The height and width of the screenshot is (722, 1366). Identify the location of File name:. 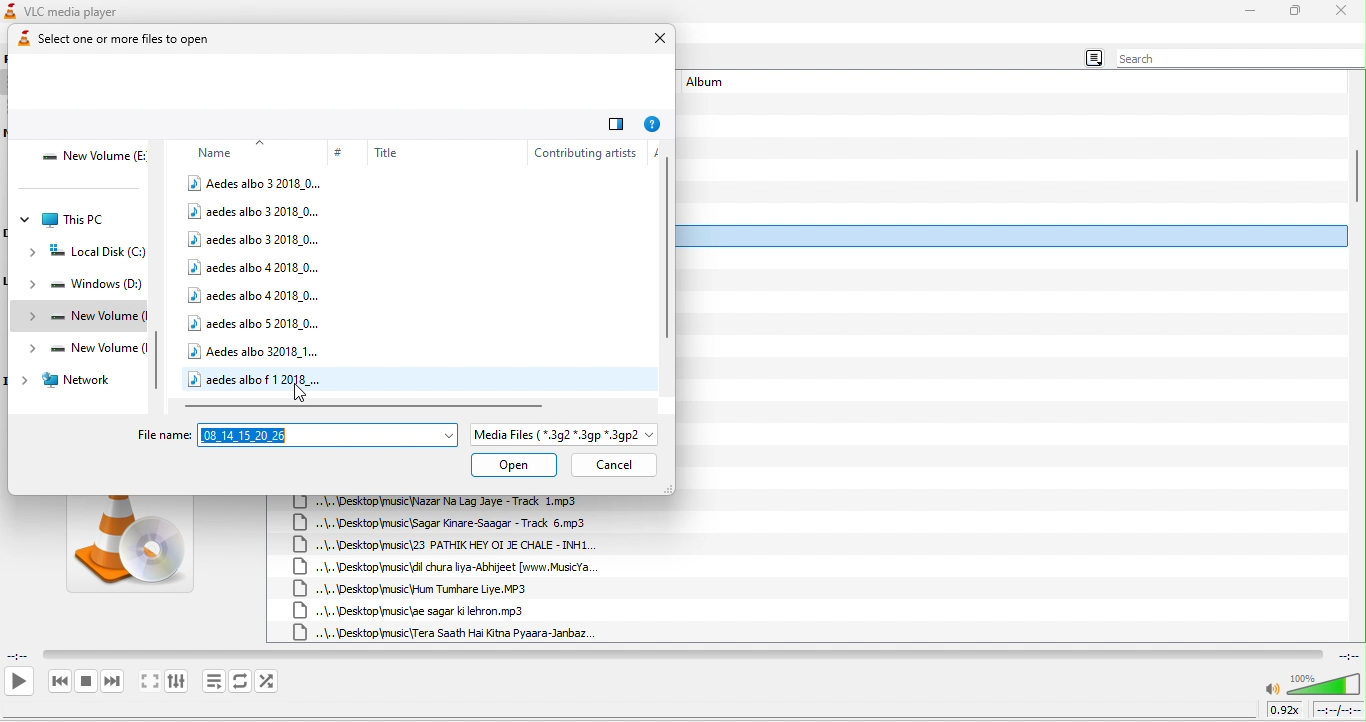
(164, 434).